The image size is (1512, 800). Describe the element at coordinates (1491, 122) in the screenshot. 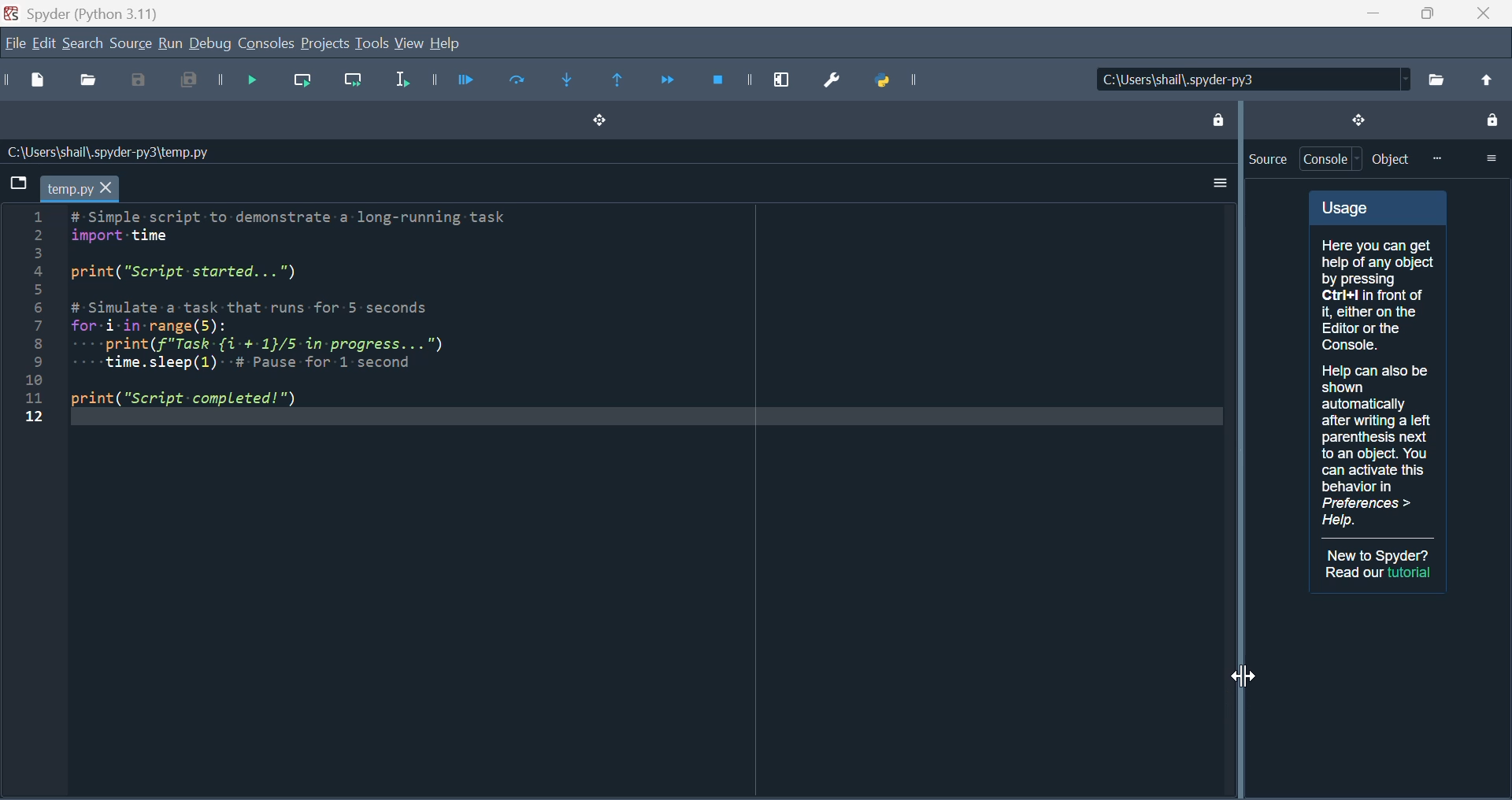

I see `lock` at that location.